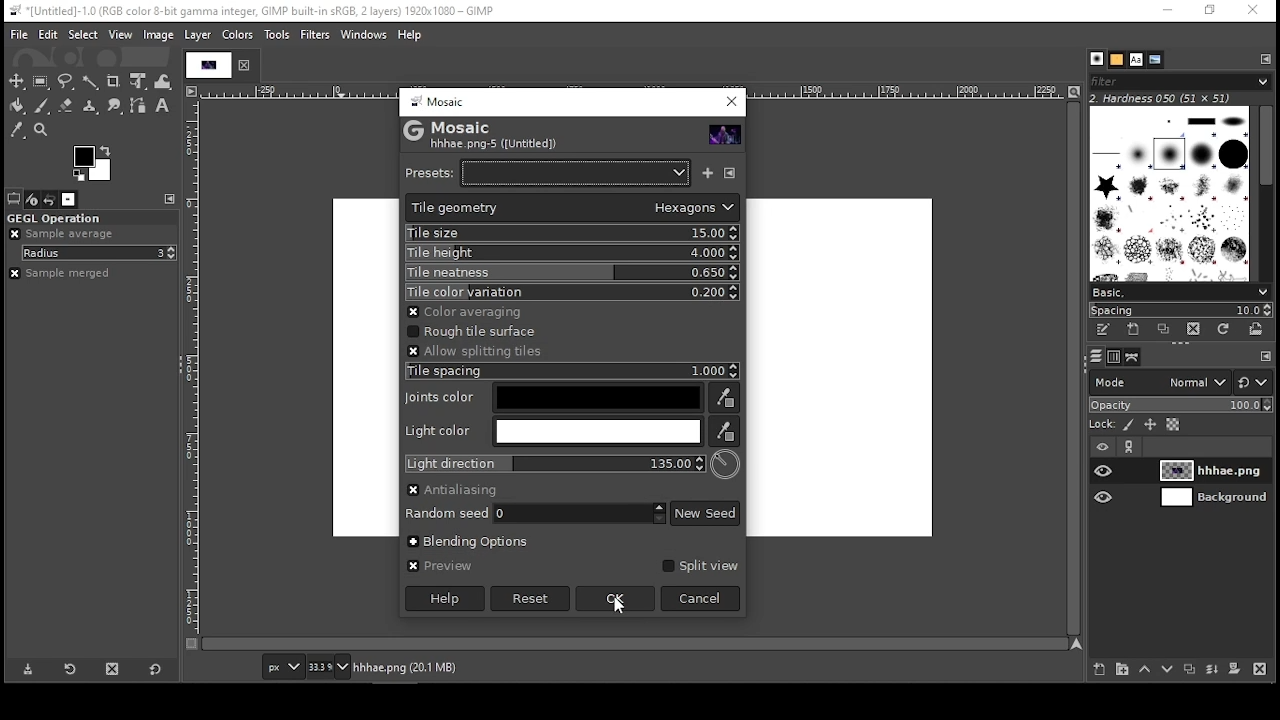 This screenshot has width=1280, height=720. Describe the element at coordinates (1098, 447) in the screenshot. I see `layer visibility` at that location.